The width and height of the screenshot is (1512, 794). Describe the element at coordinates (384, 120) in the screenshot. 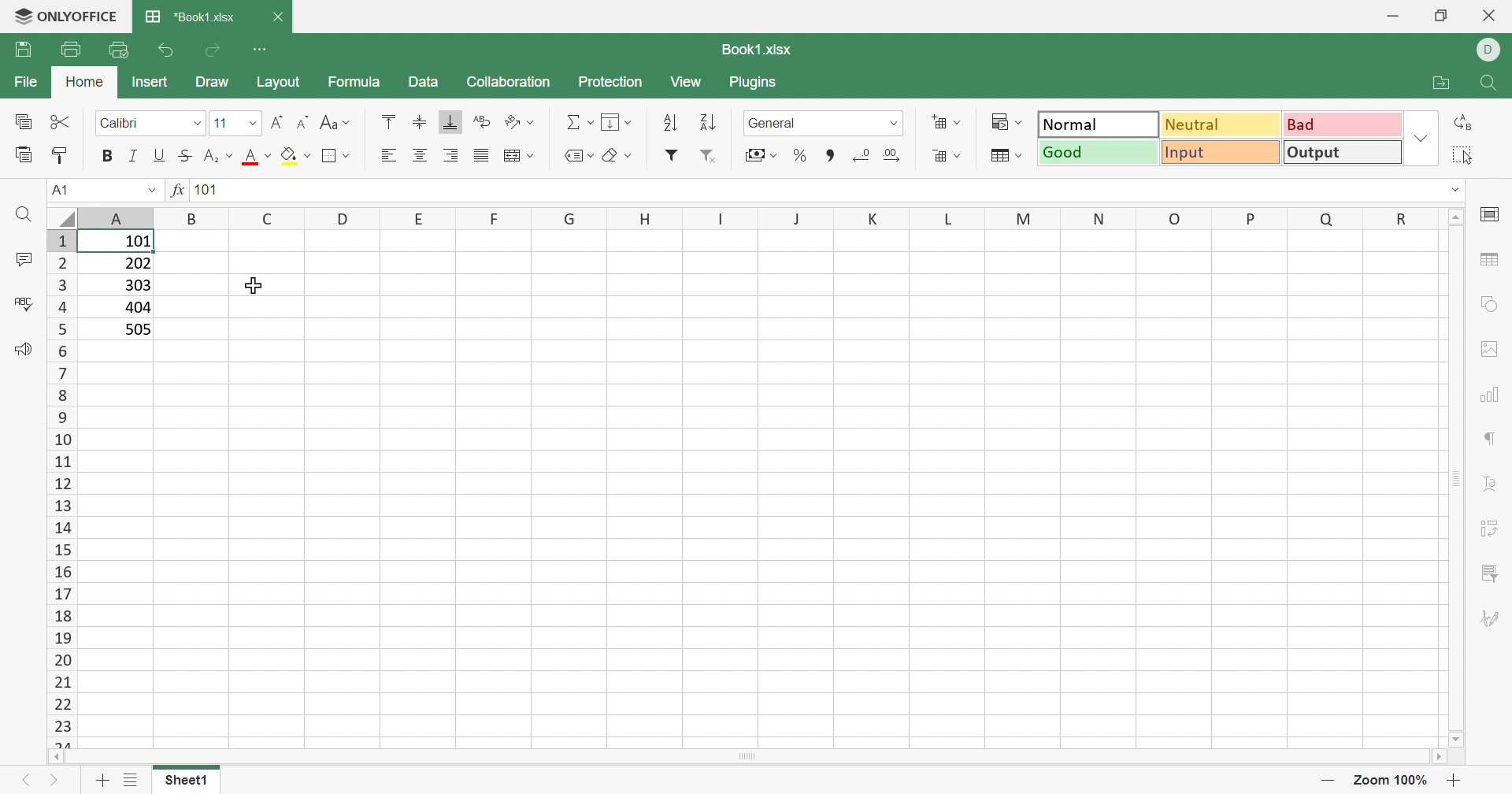

I see `Align Top` at that location.